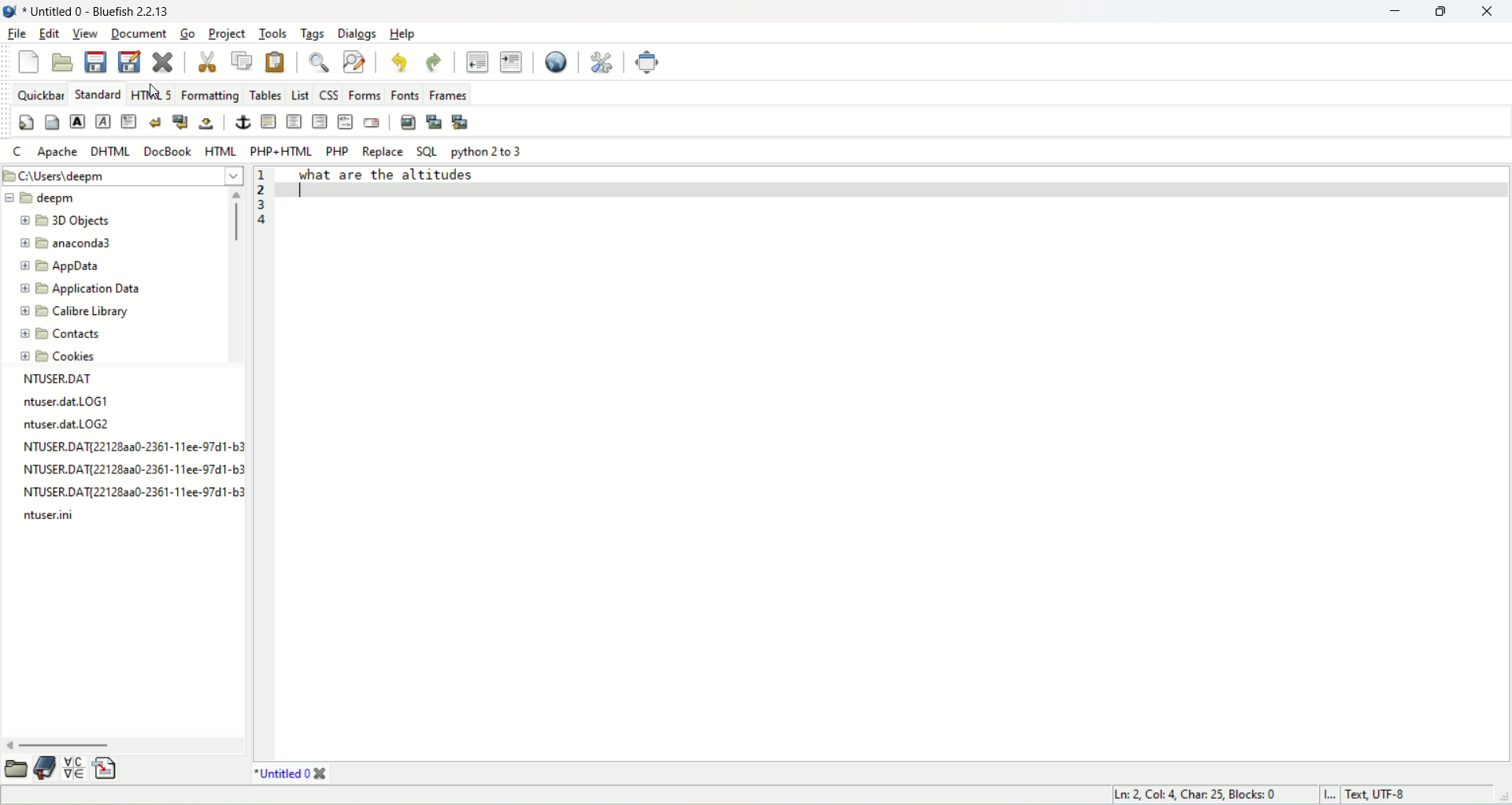  I want to click on advanced find and replace, so click(357, 61).